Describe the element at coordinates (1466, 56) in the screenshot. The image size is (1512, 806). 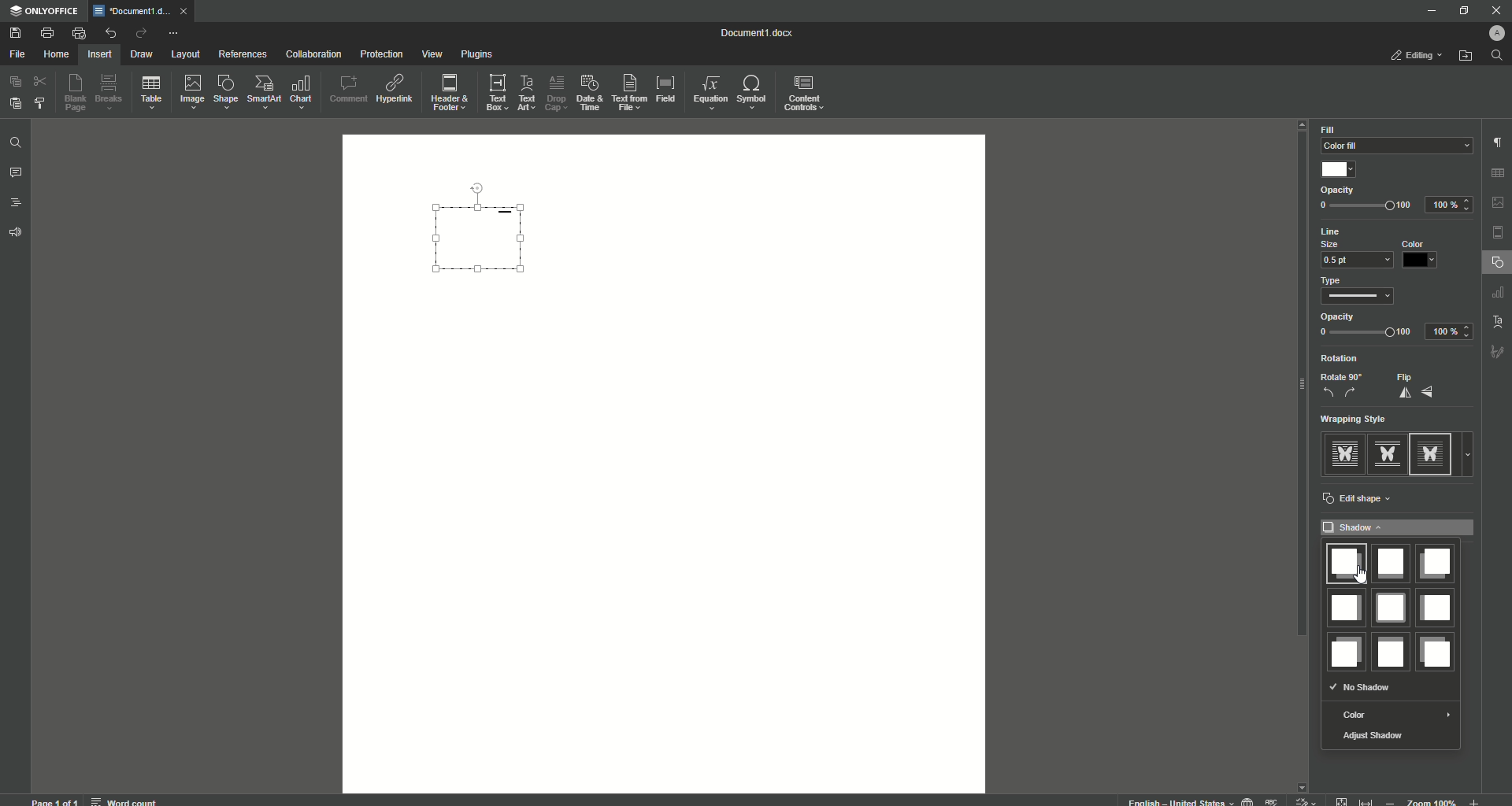
I see `Open From File` at that location.